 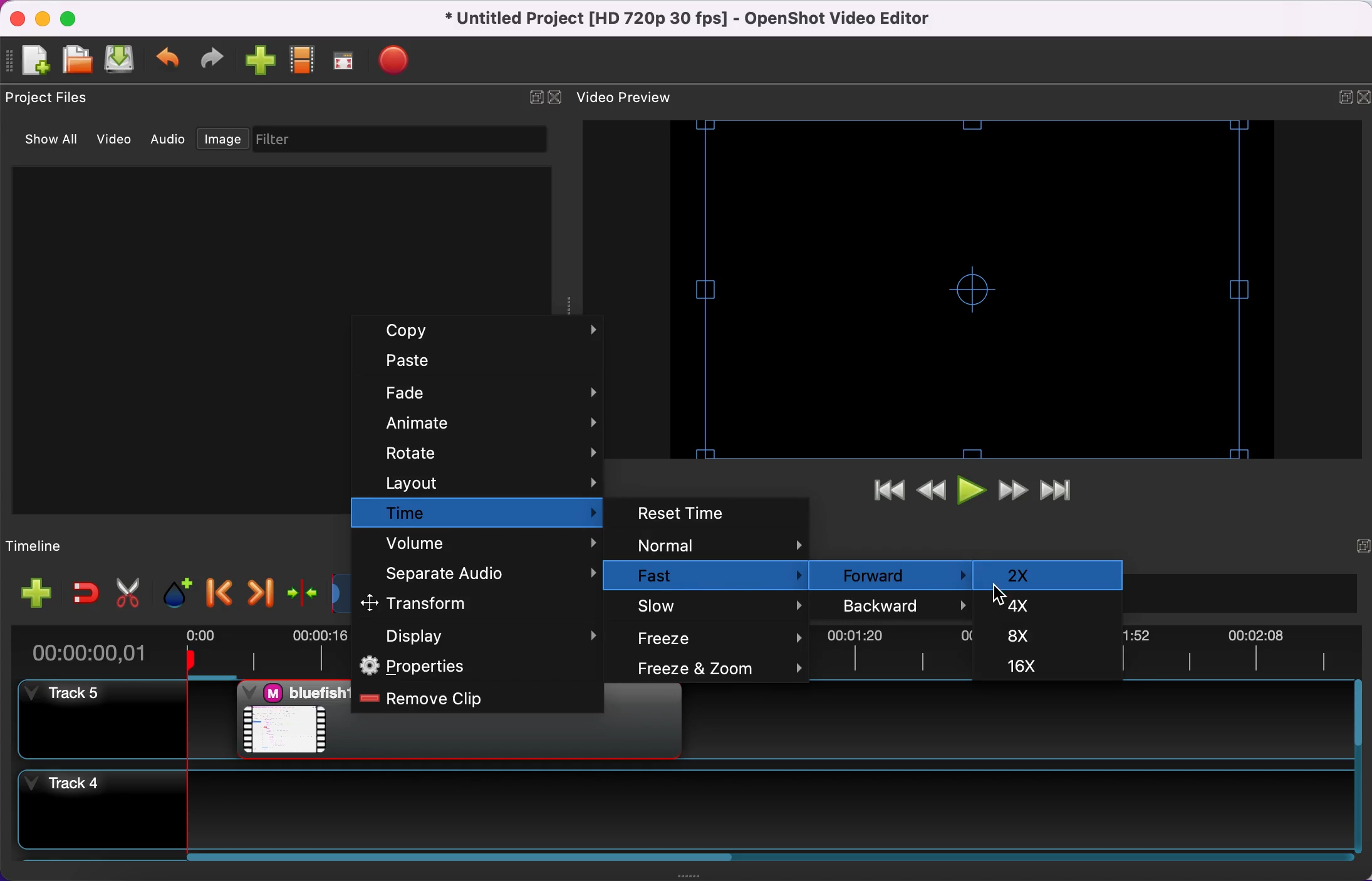 I want to click on display, so click(x=480, y=637).